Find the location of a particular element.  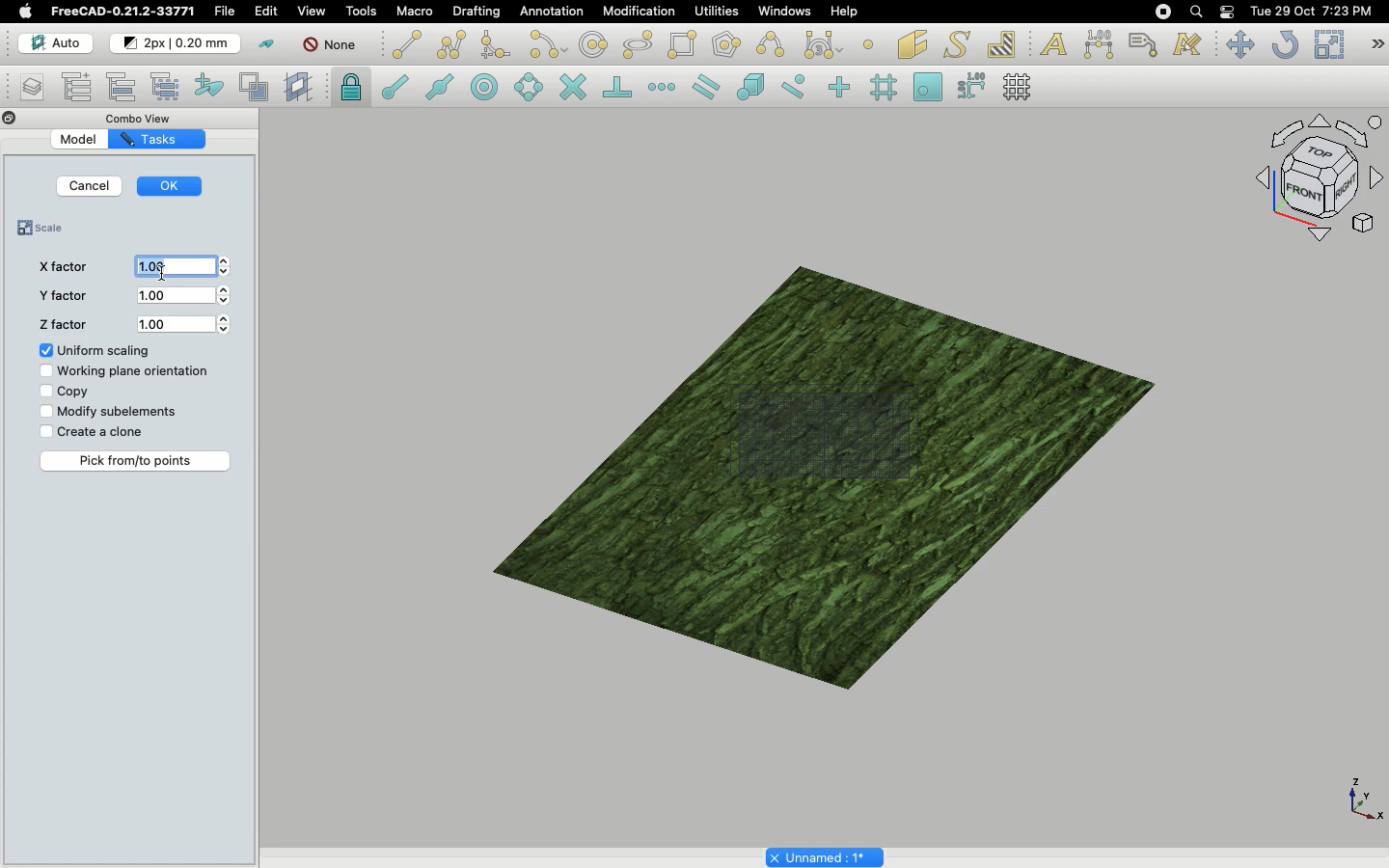

Dimension is located at coordinates (1097, 43).